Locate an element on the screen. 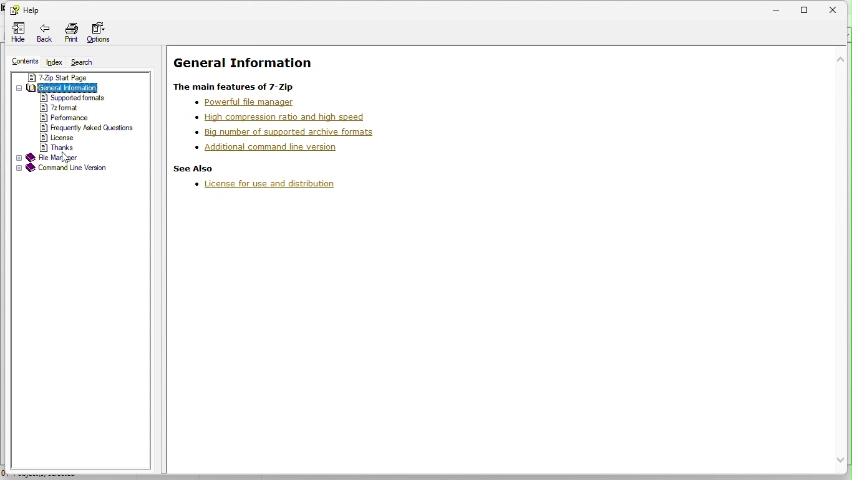  Index  is located at coordinates (52, 62).